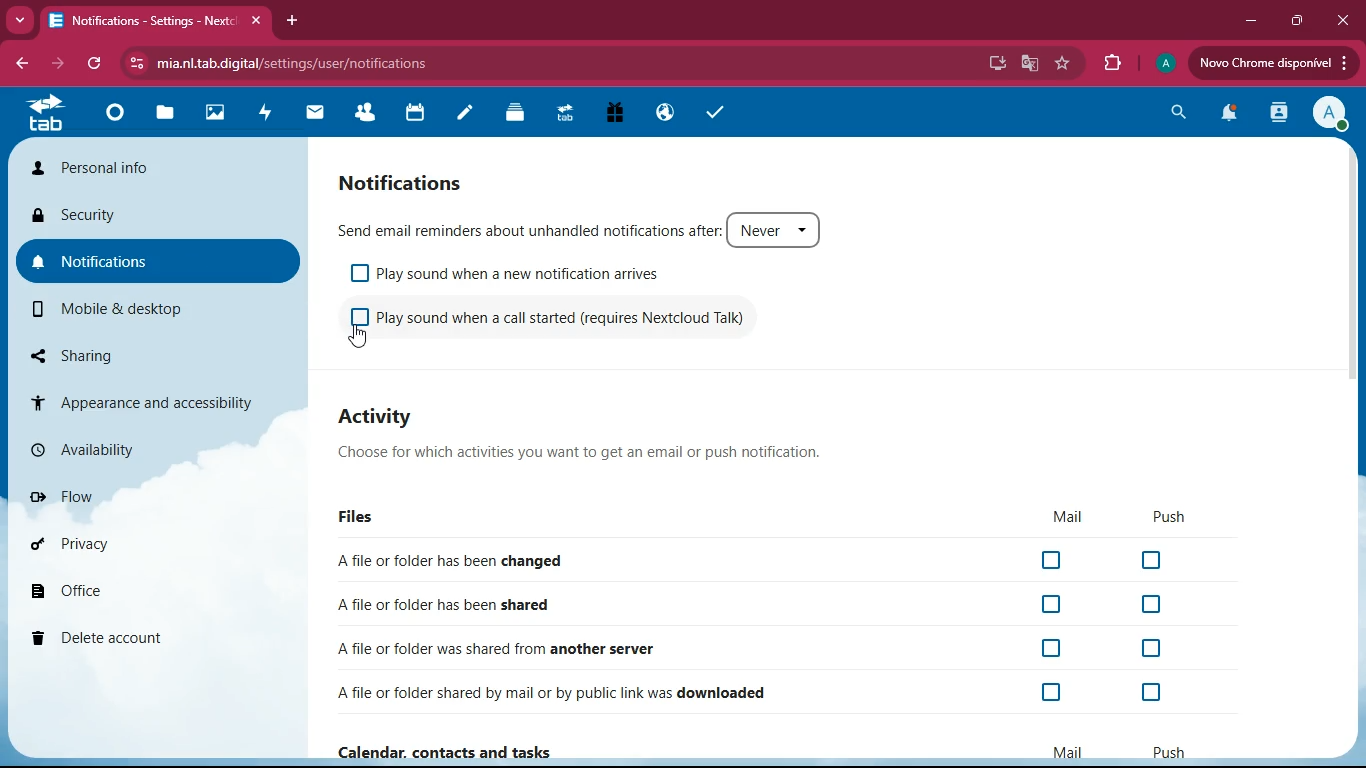  I want to click on update, so click(1273, 63).